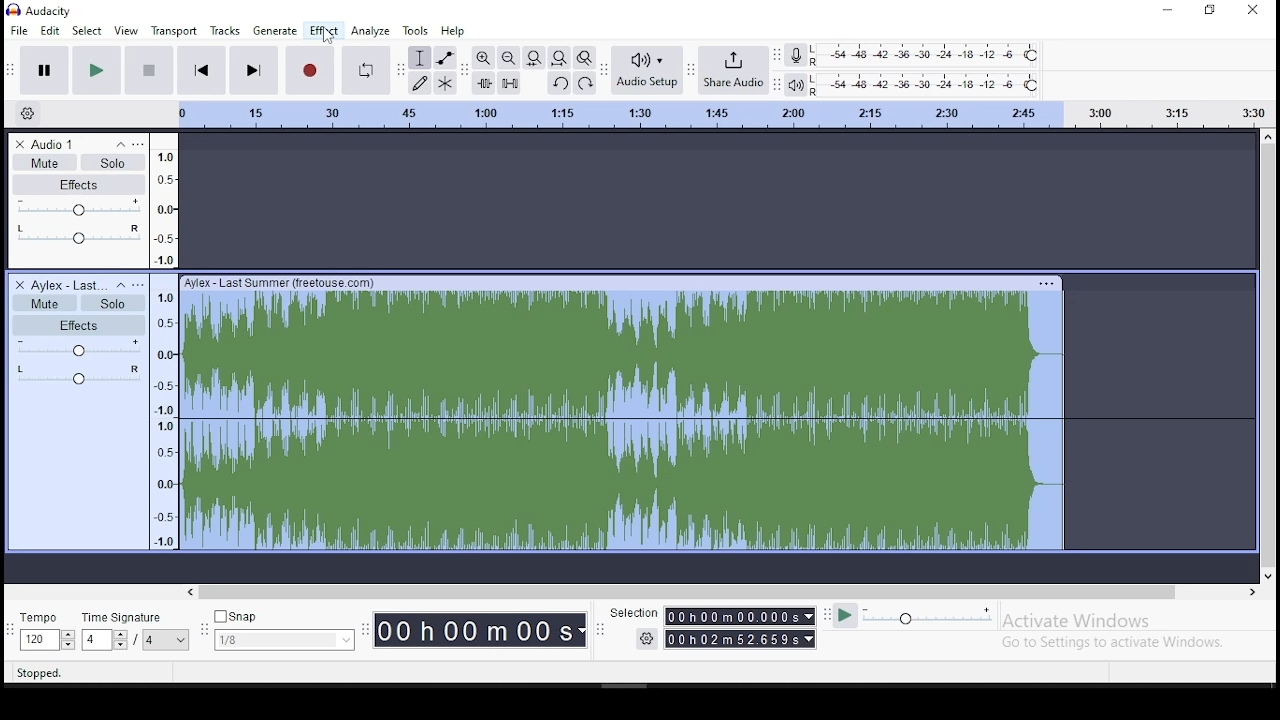  Describe the element at coordinates (420, 57) in the screenshot. I see `selection tool` at that location.